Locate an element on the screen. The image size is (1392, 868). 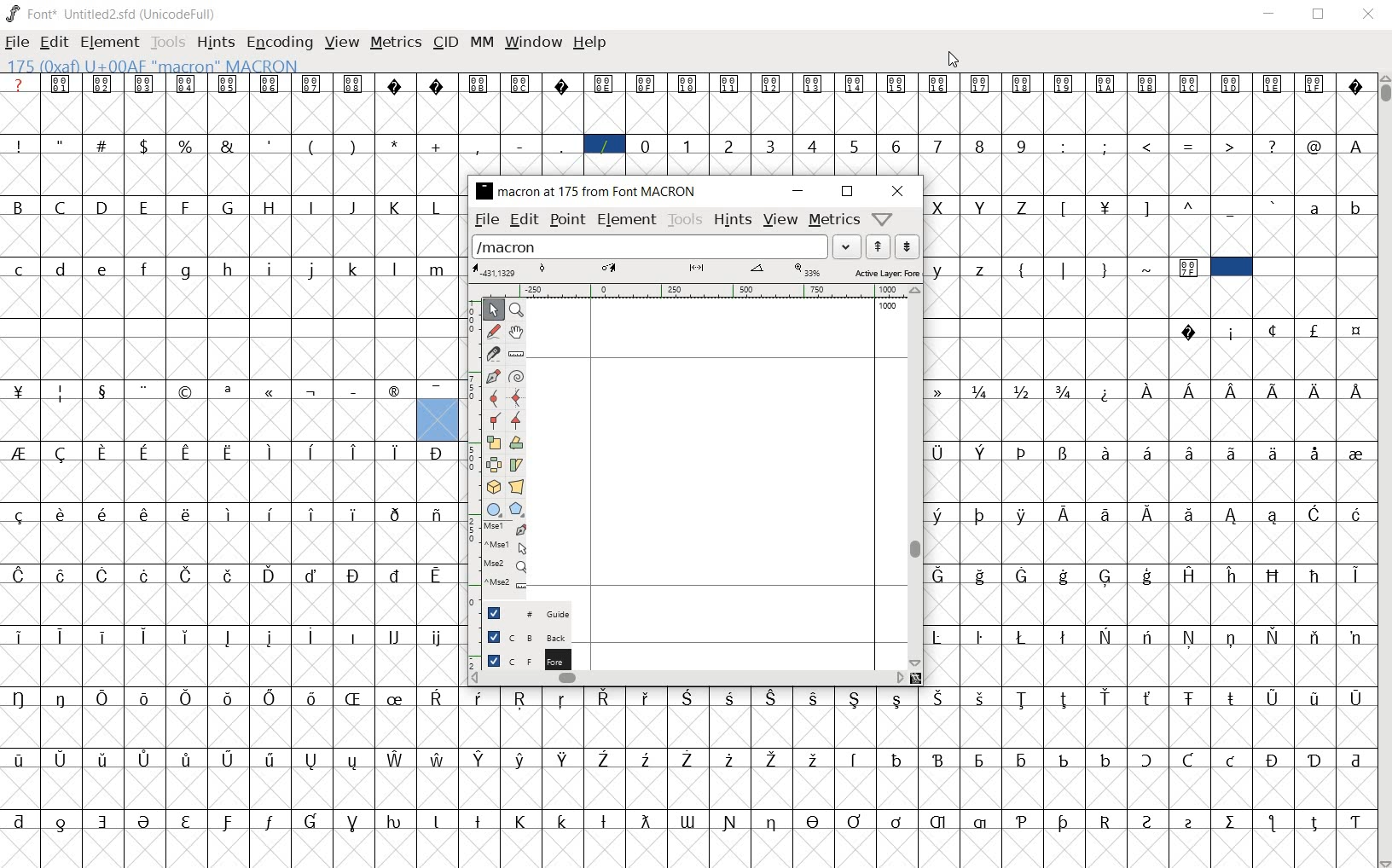
Symbol is located at coordinates (606, 760).